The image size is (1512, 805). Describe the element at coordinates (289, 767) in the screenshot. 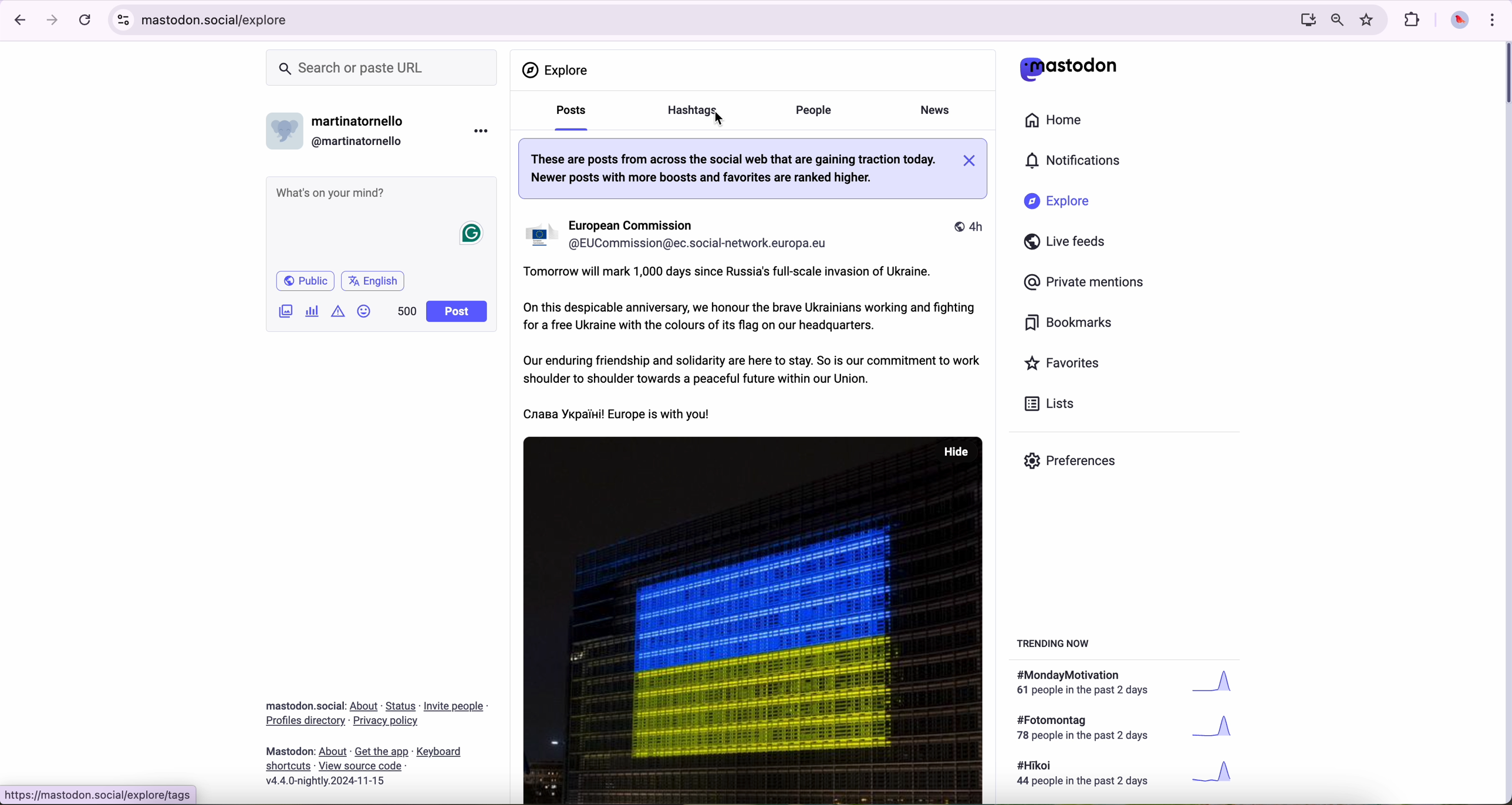

I see `link` at that location.